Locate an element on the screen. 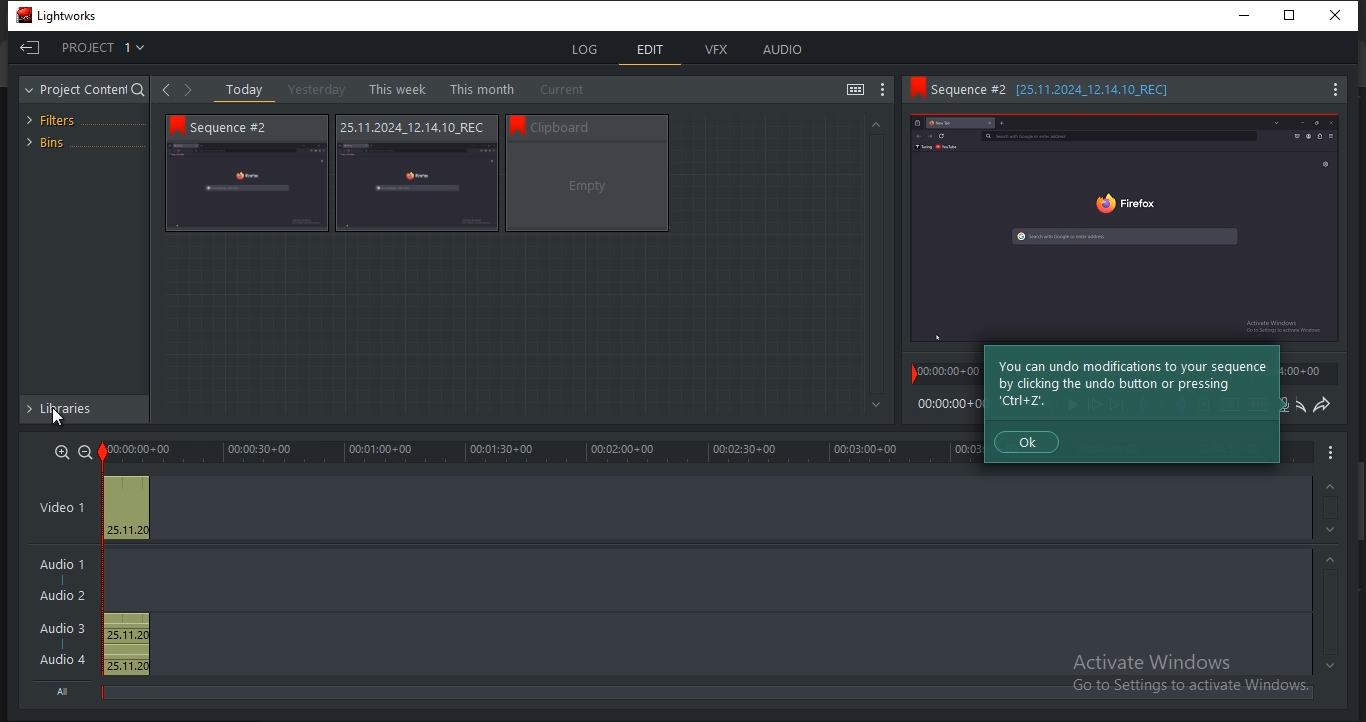  video thumbnail is located at coordinates (419, 187).